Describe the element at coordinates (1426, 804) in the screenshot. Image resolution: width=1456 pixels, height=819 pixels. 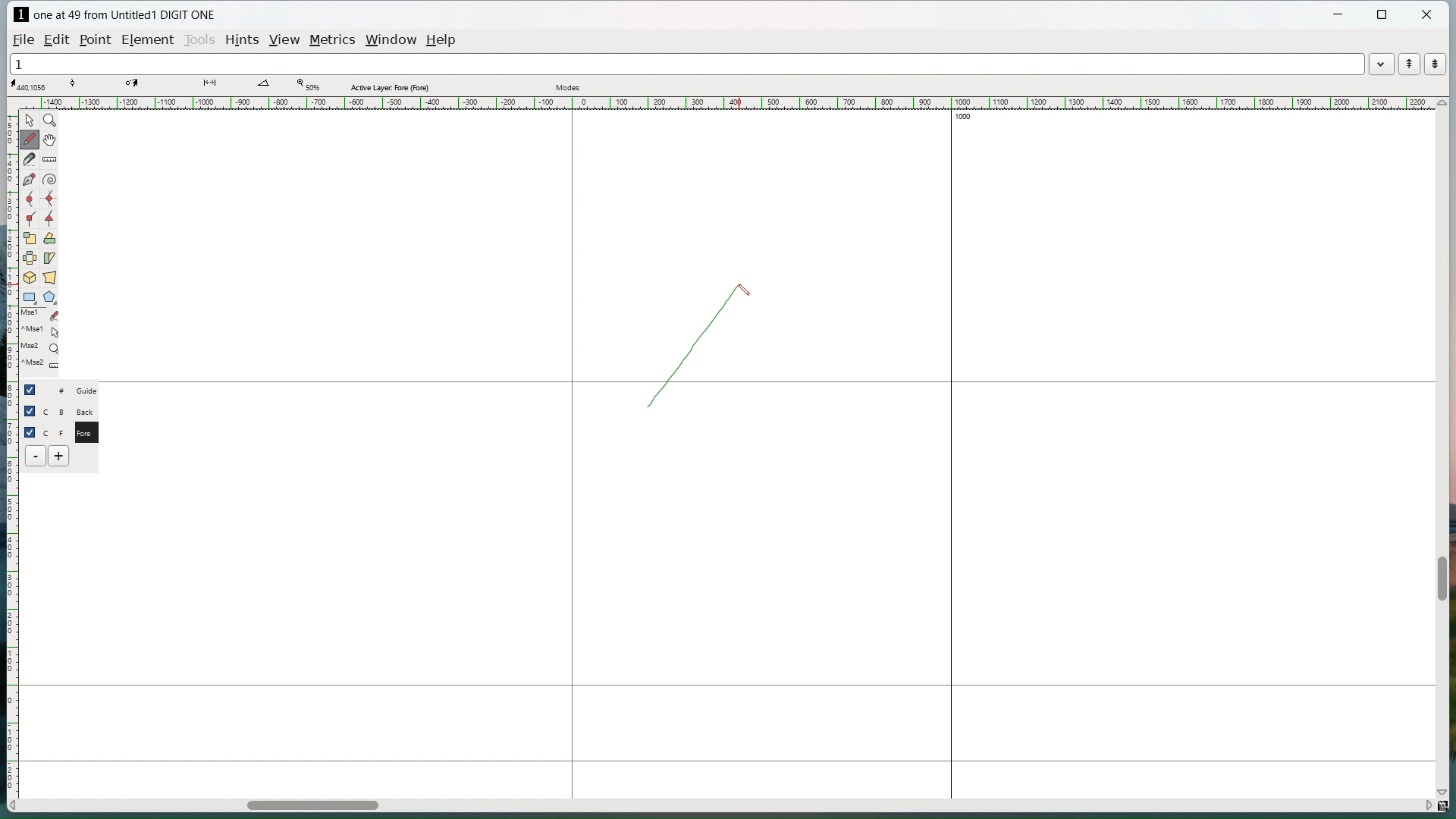
I see `scroll right` at that location.